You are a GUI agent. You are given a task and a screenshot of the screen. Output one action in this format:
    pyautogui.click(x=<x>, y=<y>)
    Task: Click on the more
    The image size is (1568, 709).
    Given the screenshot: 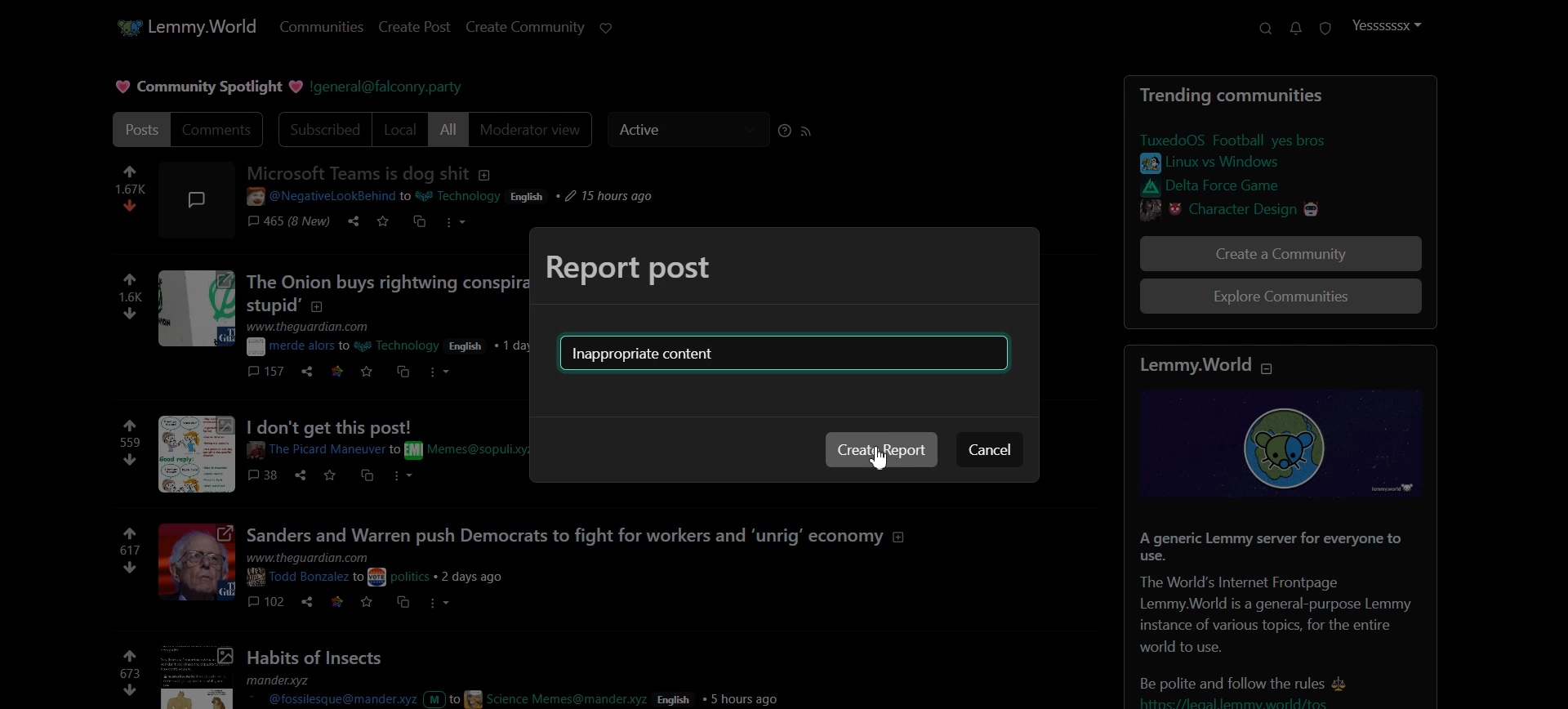 What is the action you would take?
    pyautogui.click(x=403, y=475)
    